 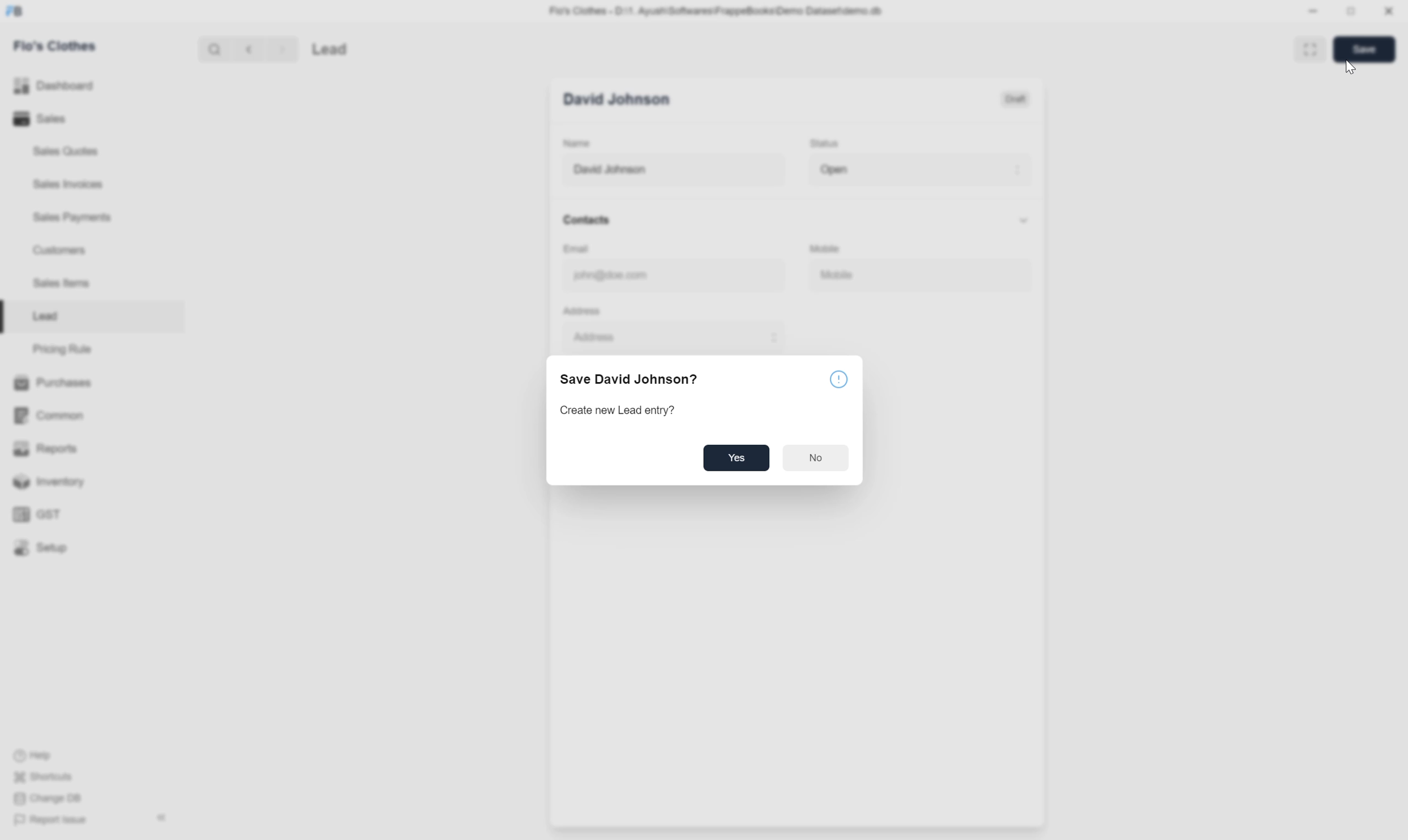 I want to click on Yes, so click(x=736, y=459).